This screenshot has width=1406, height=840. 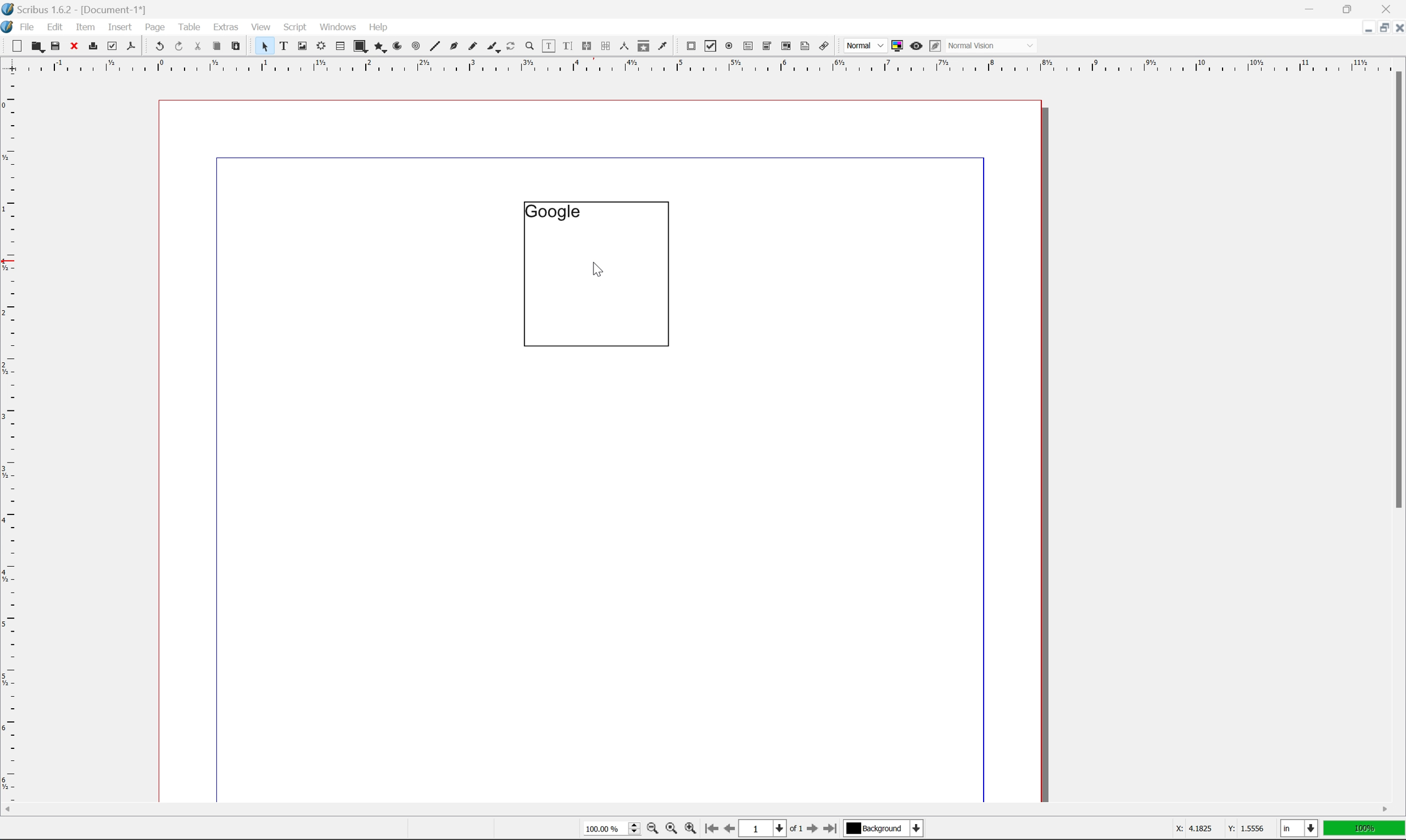 I want to click on close, so click(x=1397, y=27).